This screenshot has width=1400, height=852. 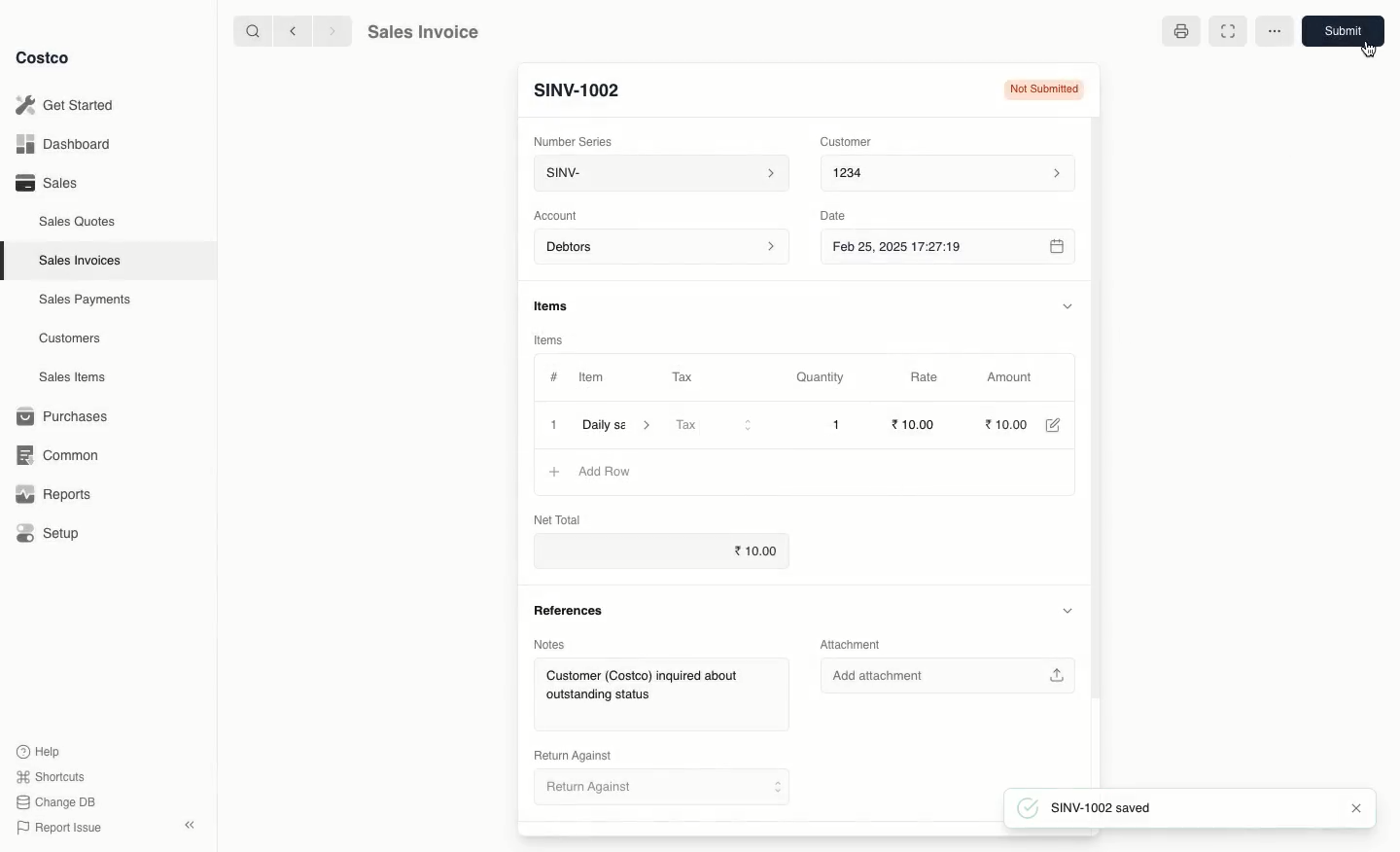 I want to click on 1234, so click(x=956, y=176).